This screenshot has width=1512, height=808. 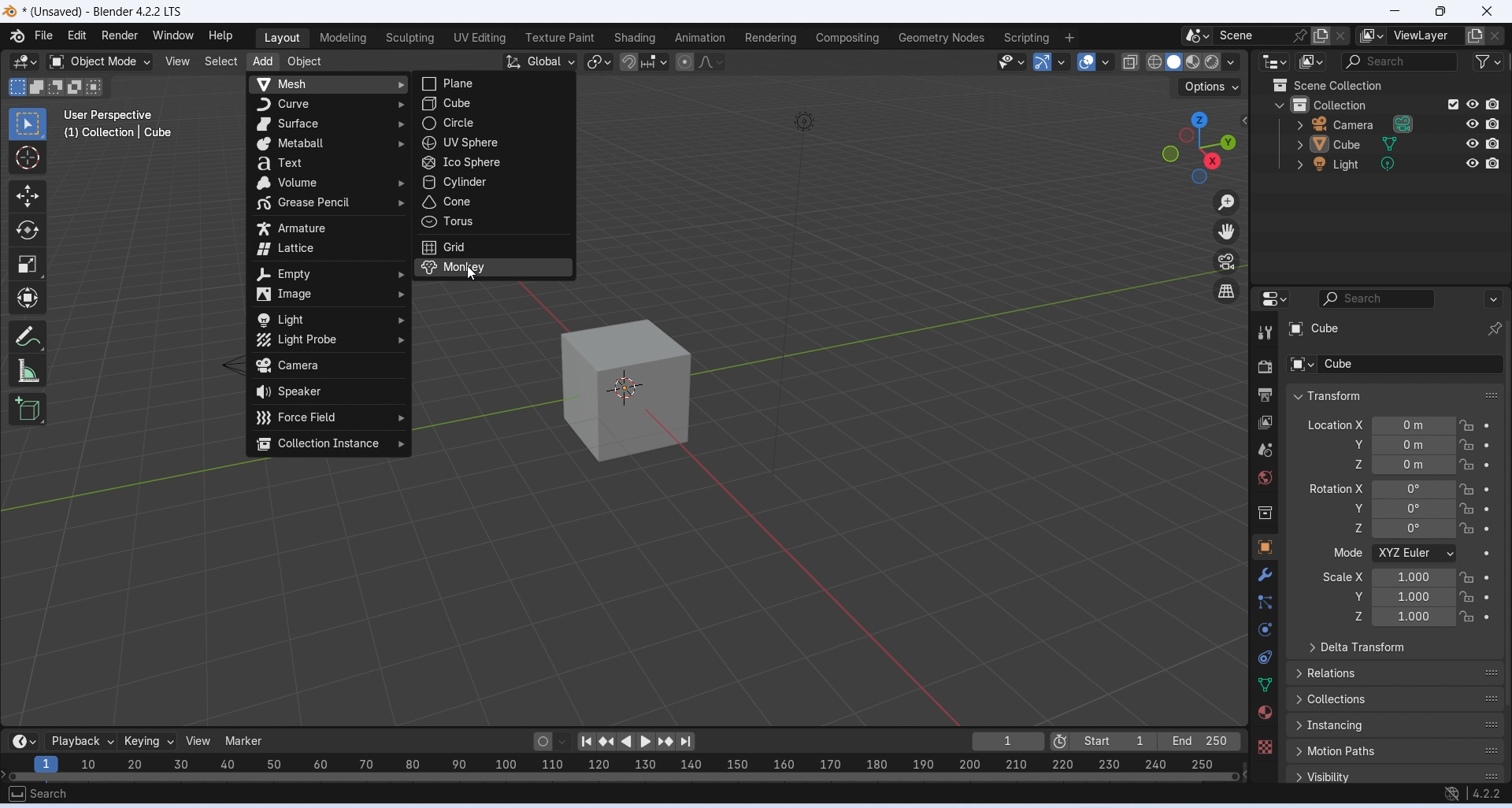 I want to click on Maximize, so click(x=1439, y=11).